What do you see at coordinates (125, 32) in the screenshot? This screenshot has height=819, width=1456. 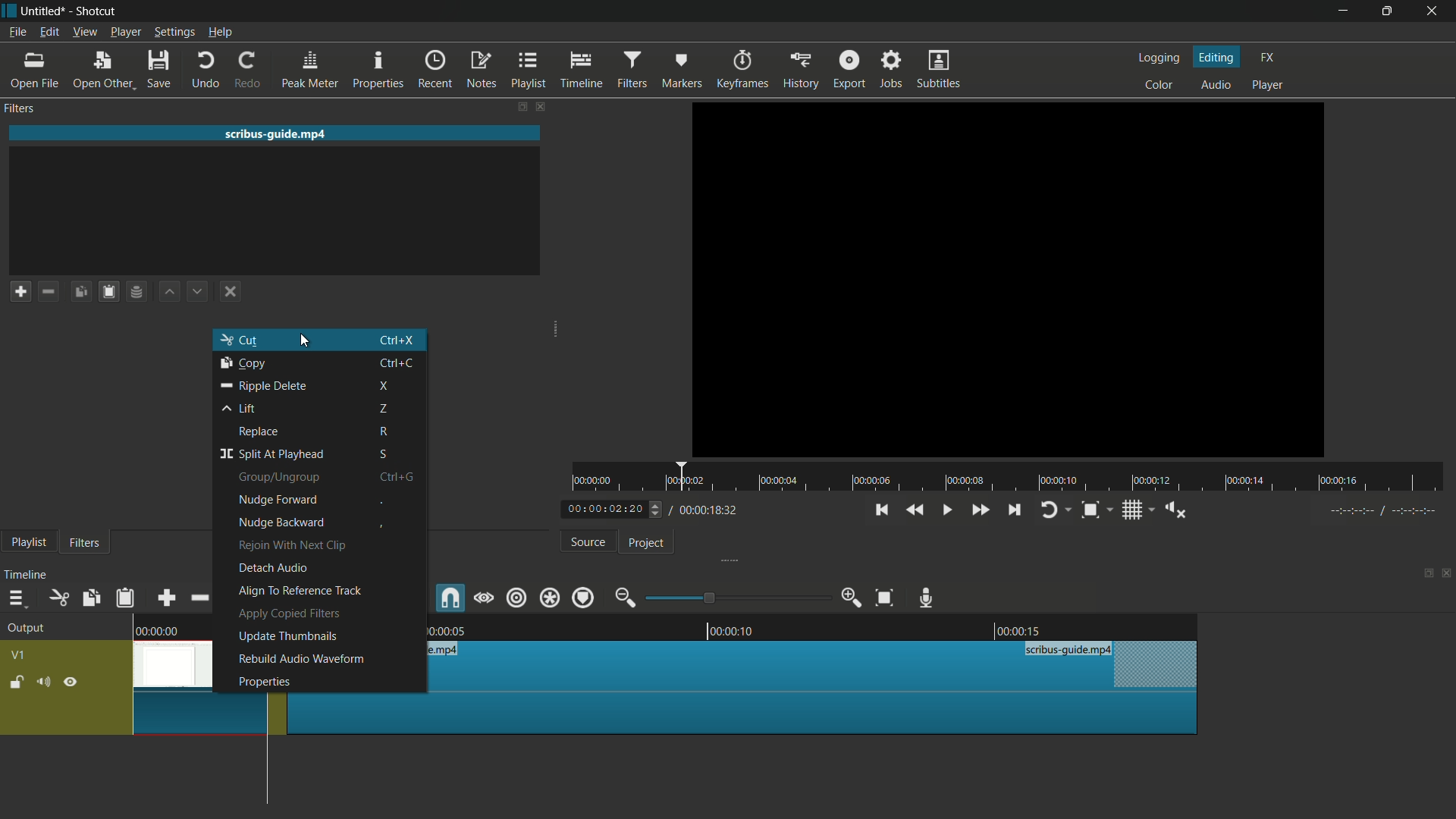 I see `player menu` at bounding box center [125, 32].